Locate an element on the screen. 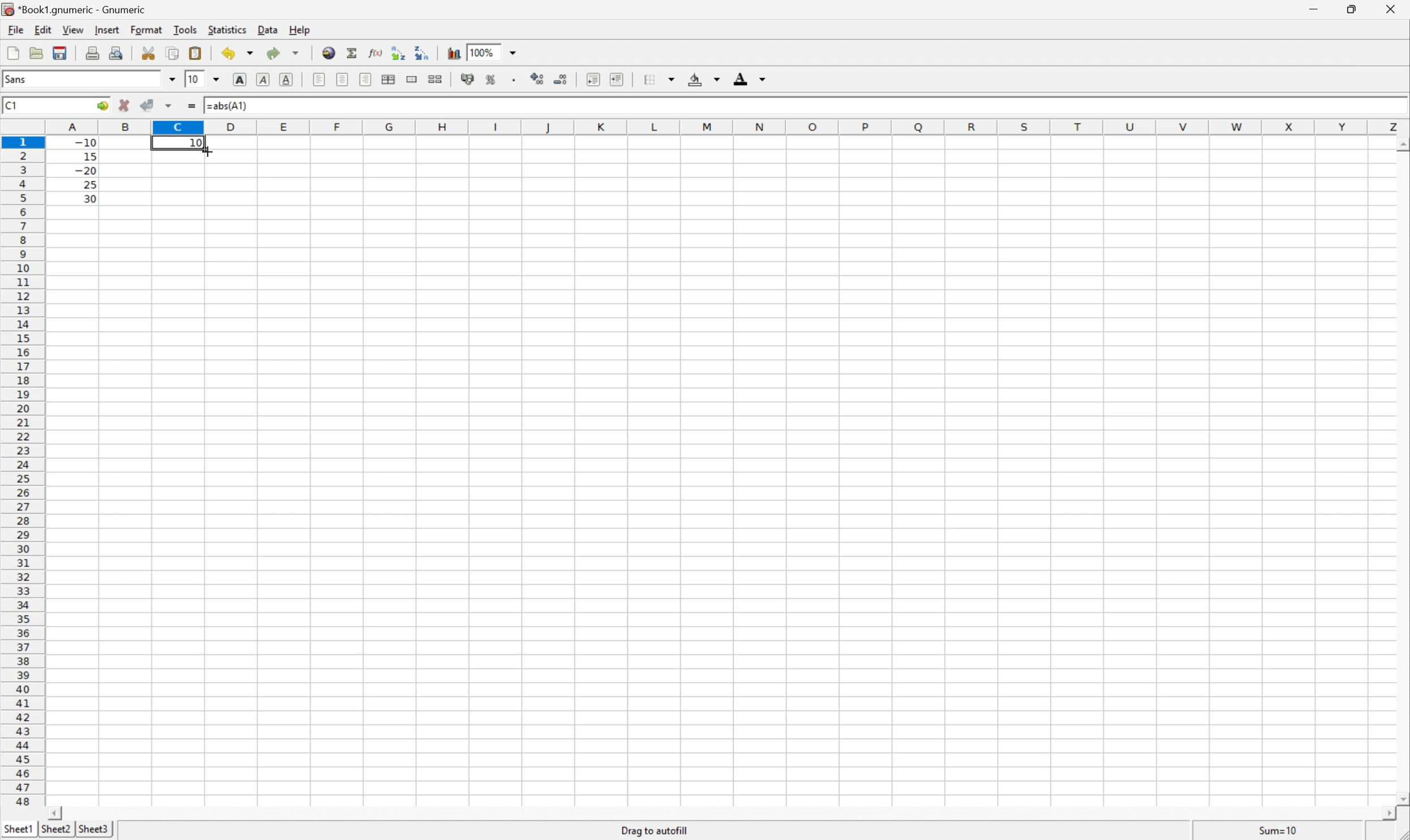 This screenshot has width=1410, height=840. 10 is located at coordinates (193, 79).